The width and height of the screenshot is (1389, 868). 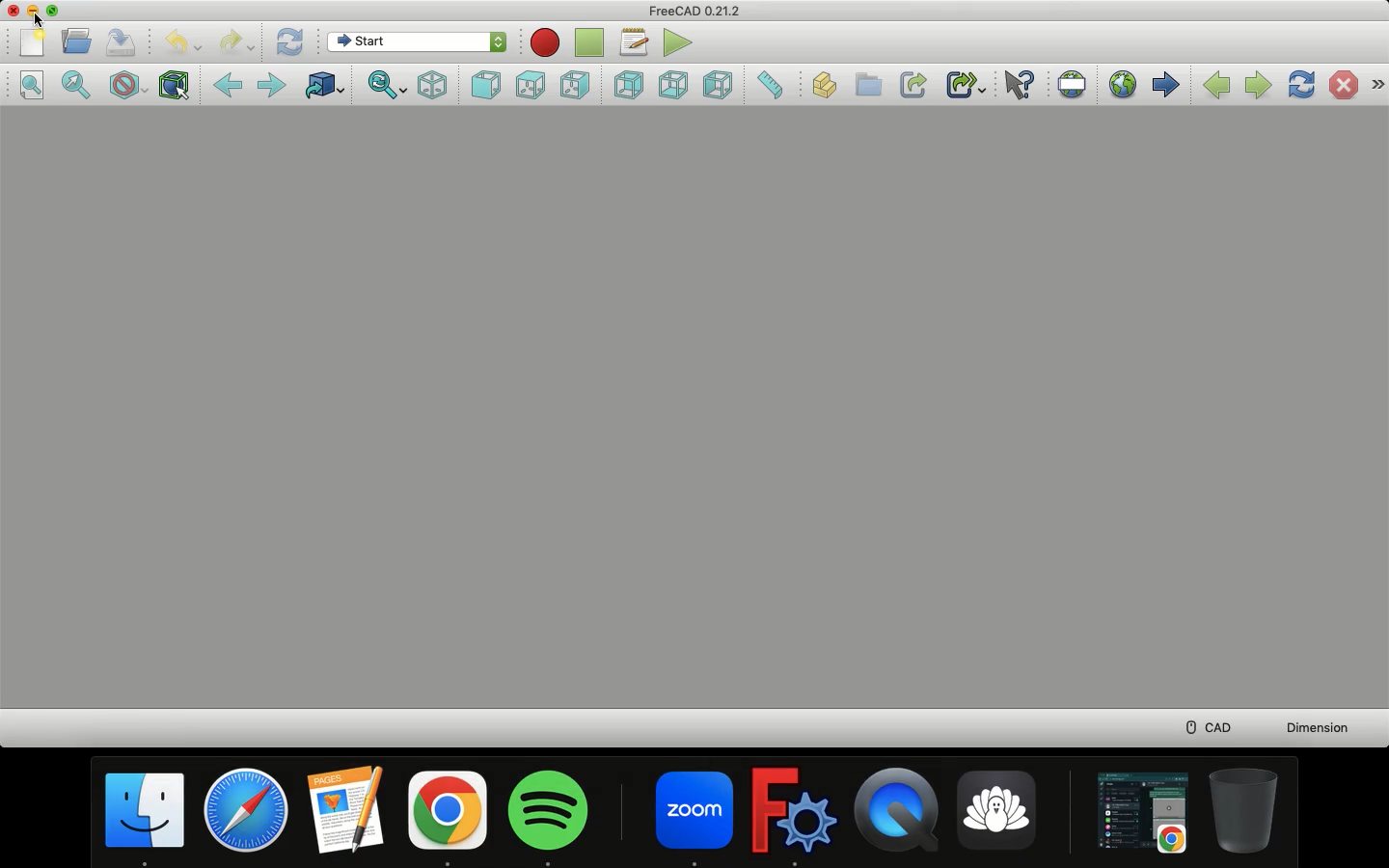 I want to click on redo, so click(x=238, y=43).